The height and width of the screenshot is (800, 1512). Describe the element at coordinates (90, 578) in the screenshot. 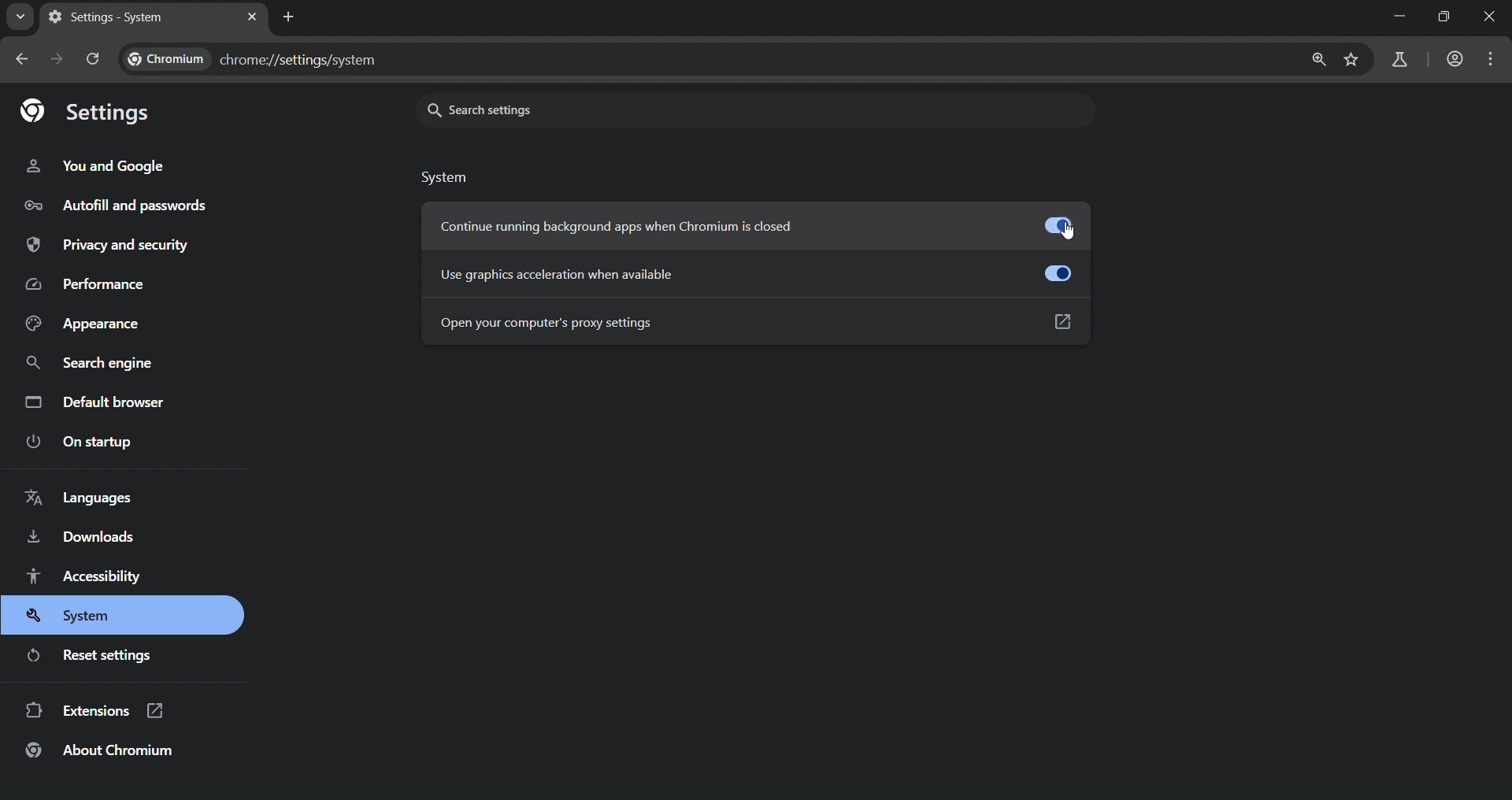

I see `accessibility` at that location.